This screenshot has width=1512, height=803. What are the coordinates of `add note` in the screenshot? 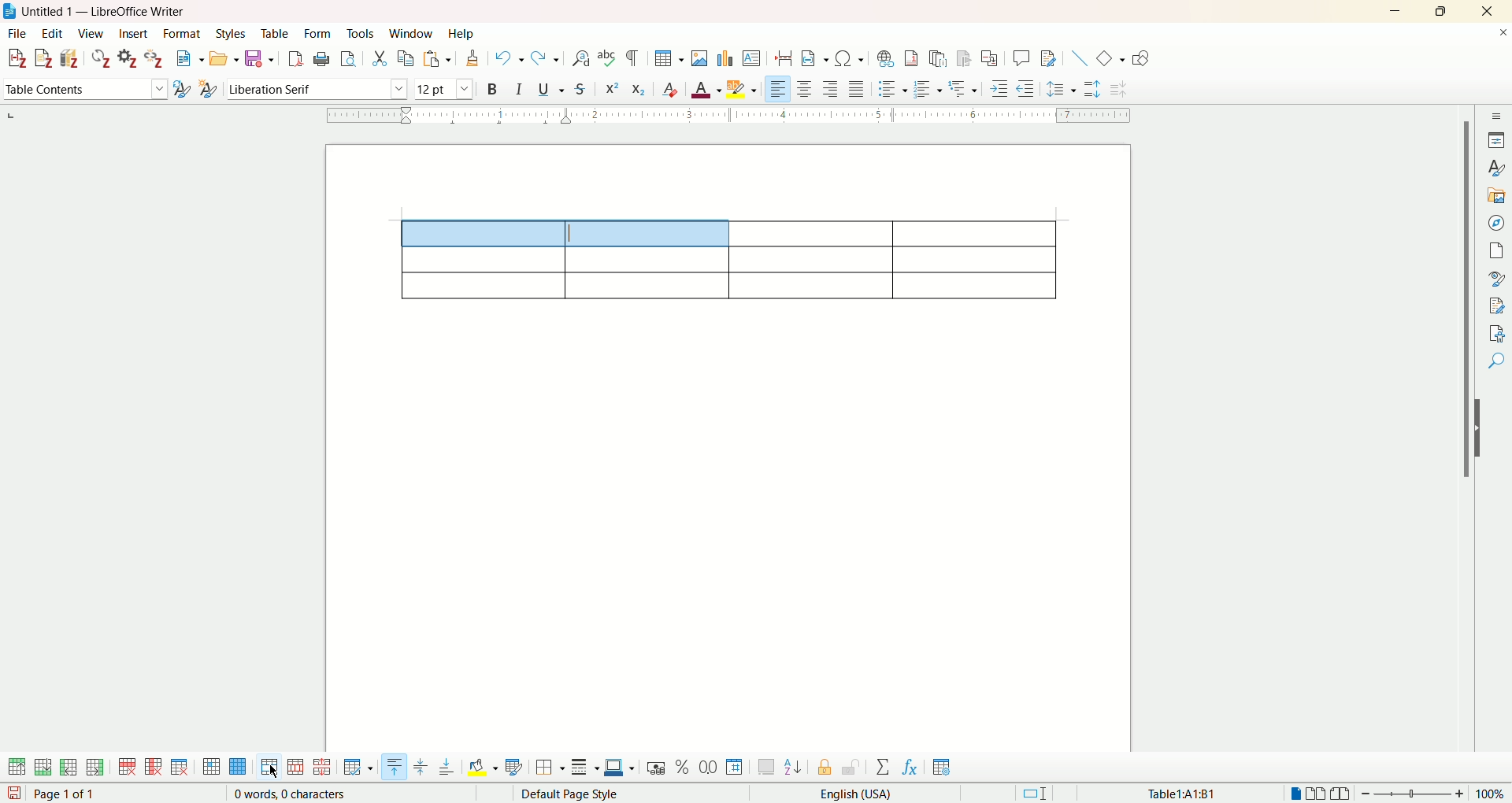 It's located at (43, 60).